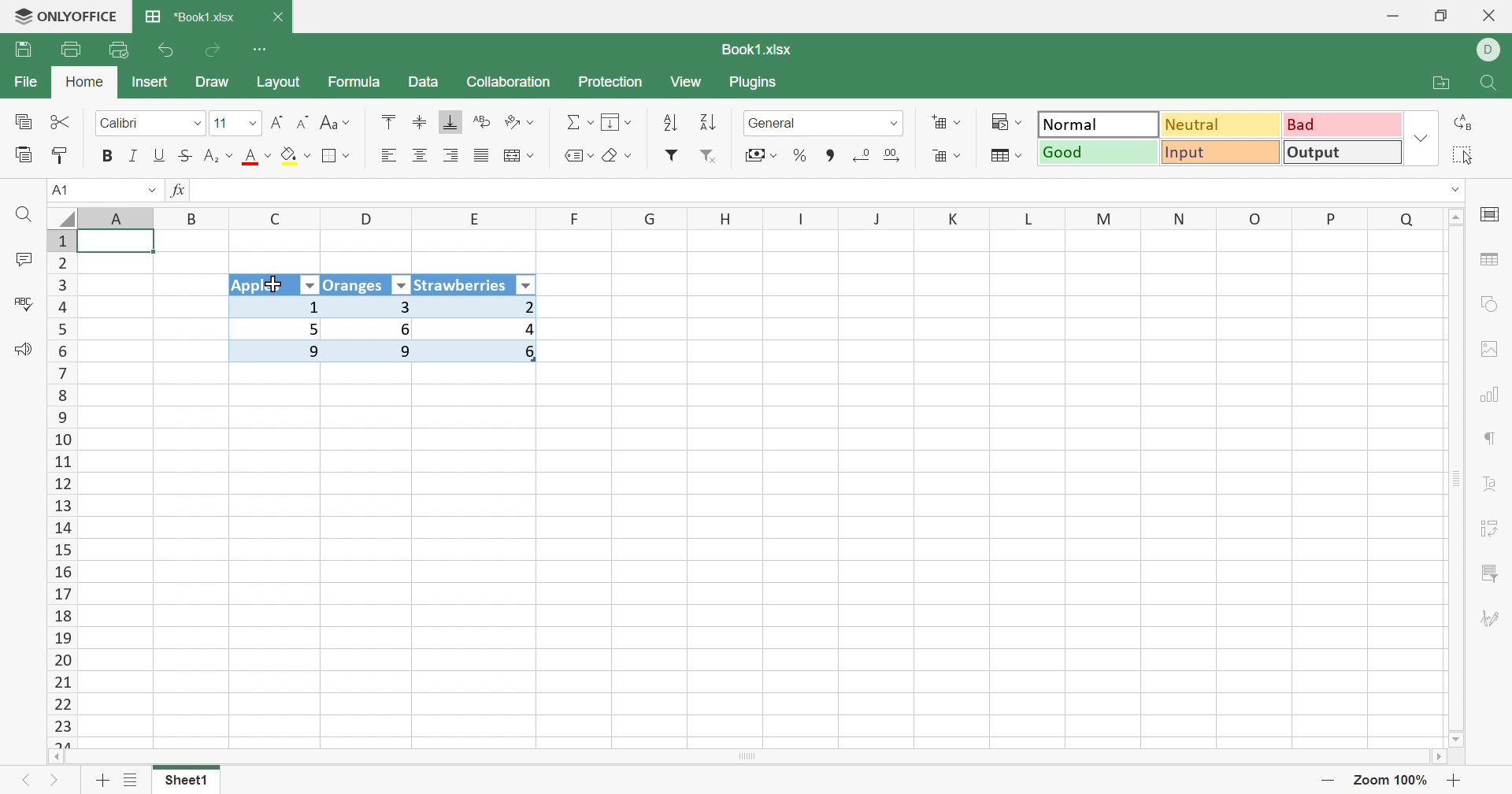 Image resolution: width=1512 pixels, height=794 pixels. I want to click on Home, so click(84, 83).